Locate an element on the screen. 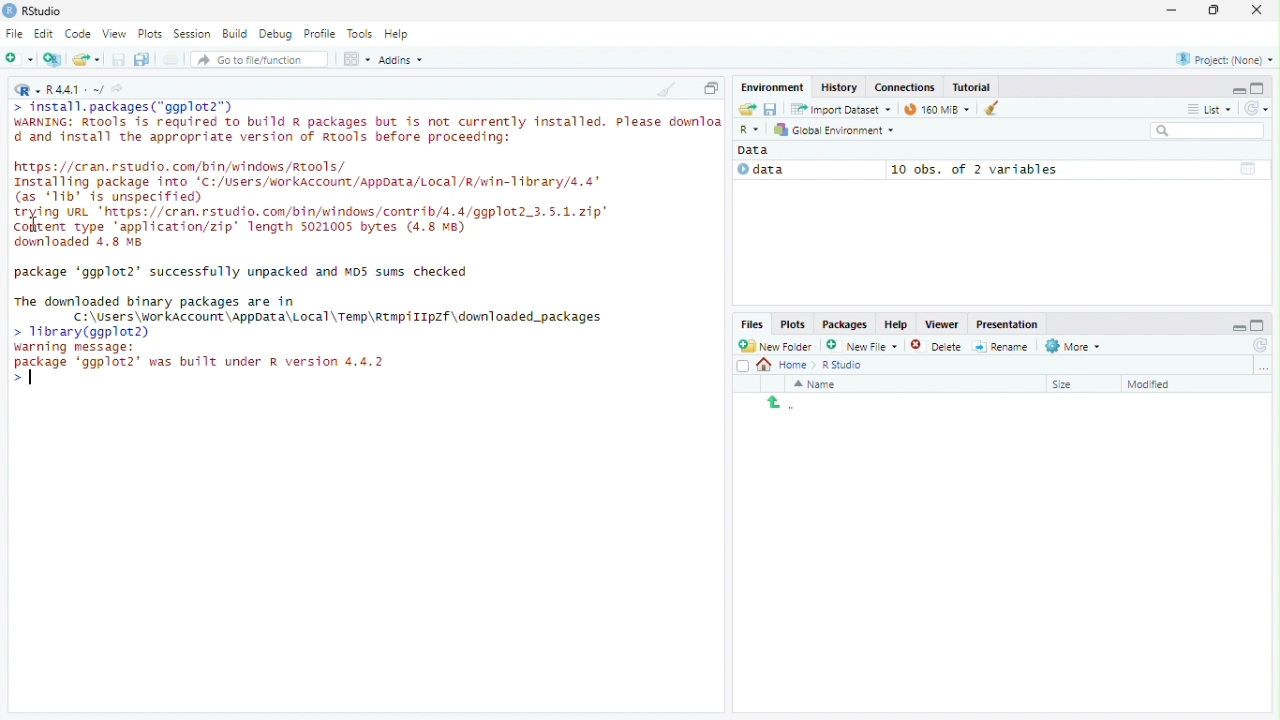  Tutorial is located at coordinates (973, 87).